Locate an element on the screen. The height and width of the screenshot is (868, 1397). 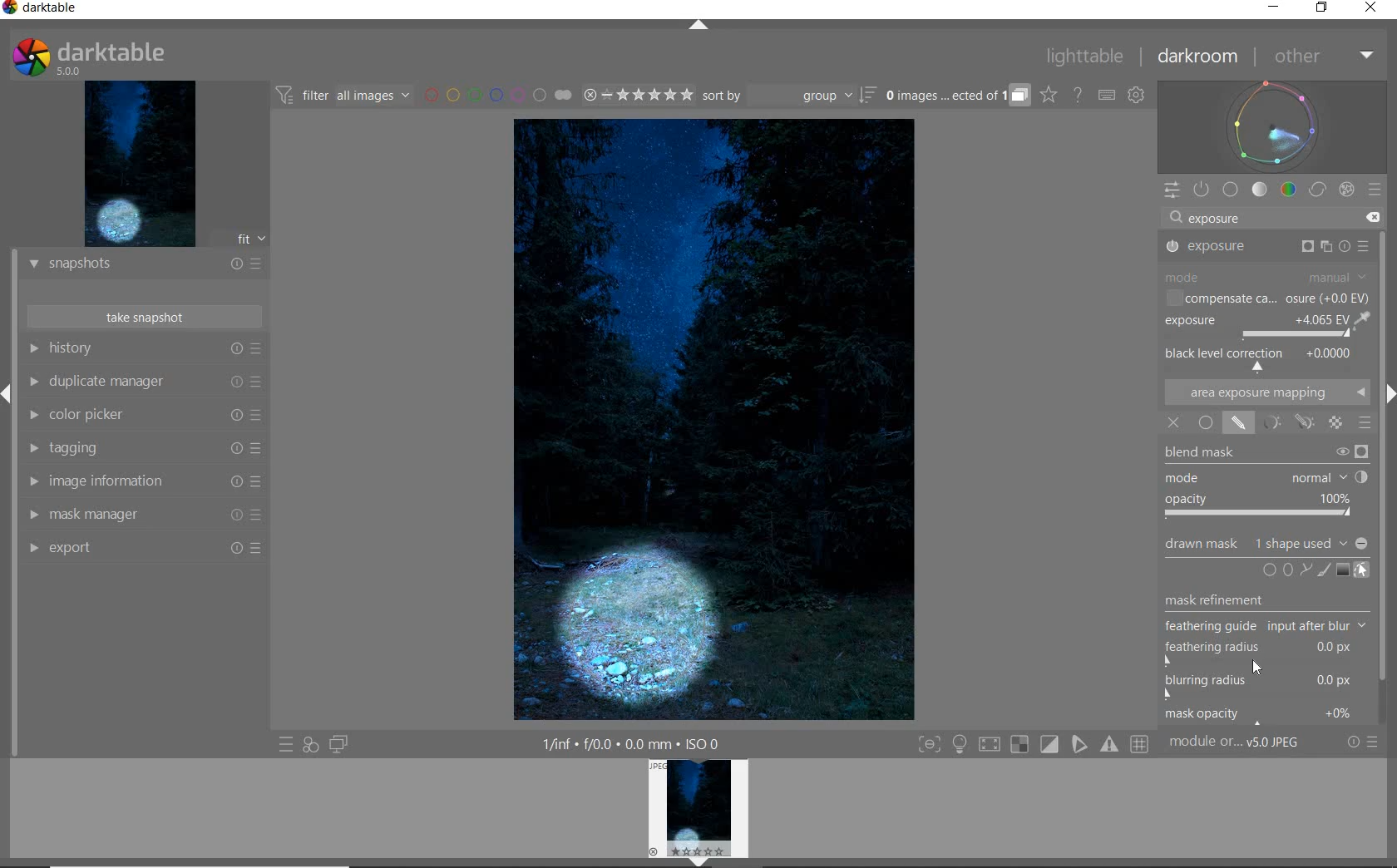
blurring radius is located at coordinates (1260, 688).